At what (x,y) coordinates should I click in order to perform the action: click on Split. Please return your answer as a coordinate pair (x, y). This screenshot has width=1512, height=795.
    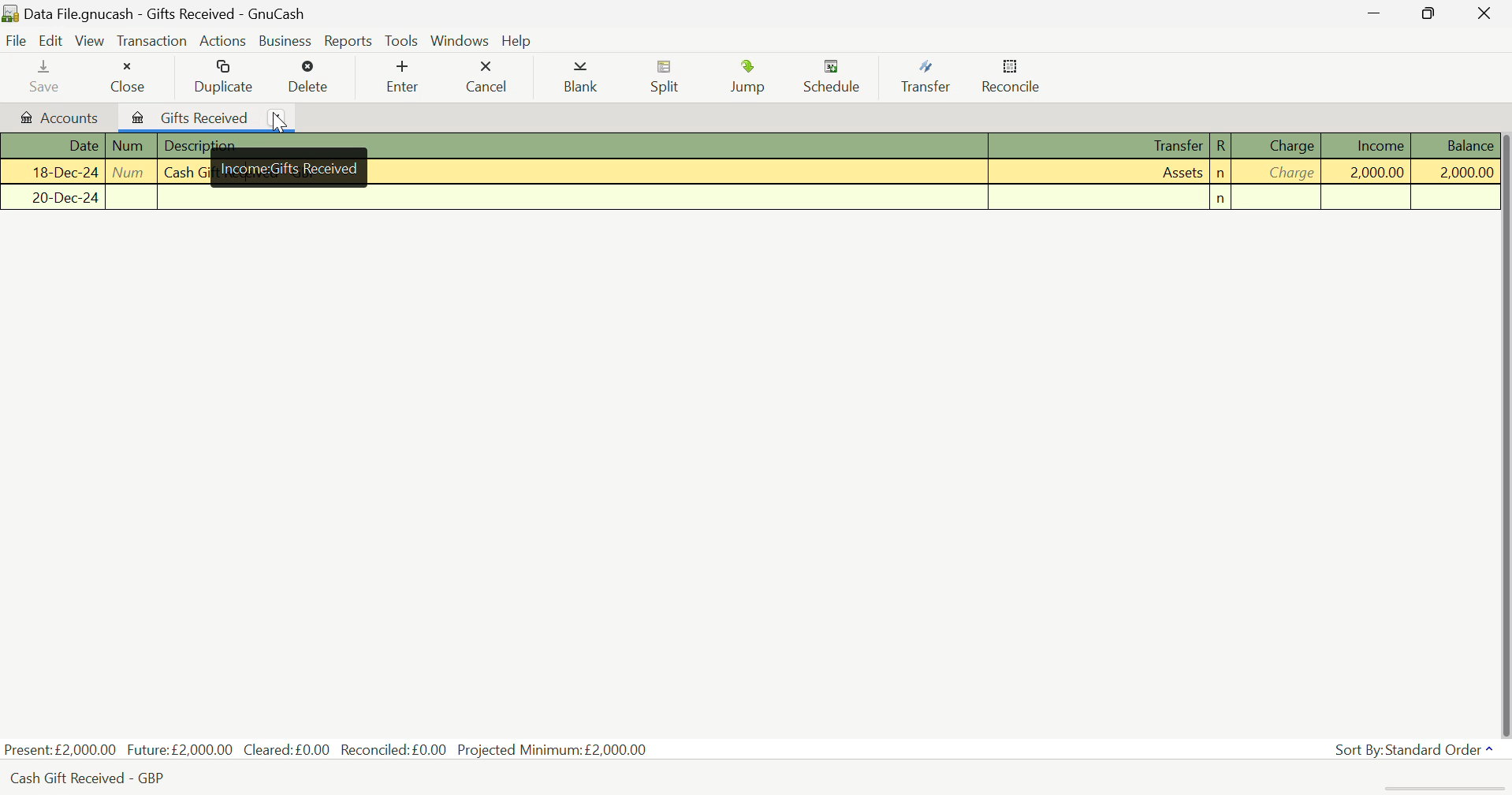
    Looking at the image, I should click on (666, 79).